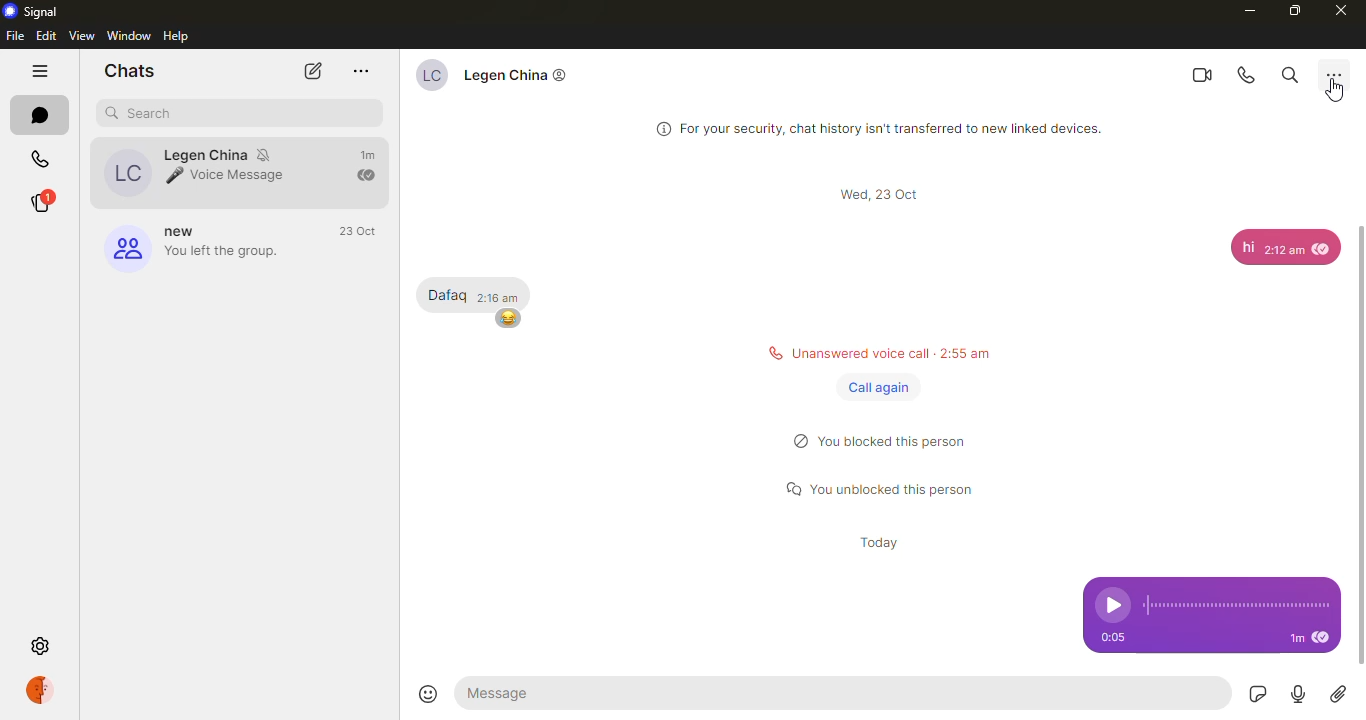 The width and height of the screenshot is (1366, 720). I want to click on close, so click(1342, 11).